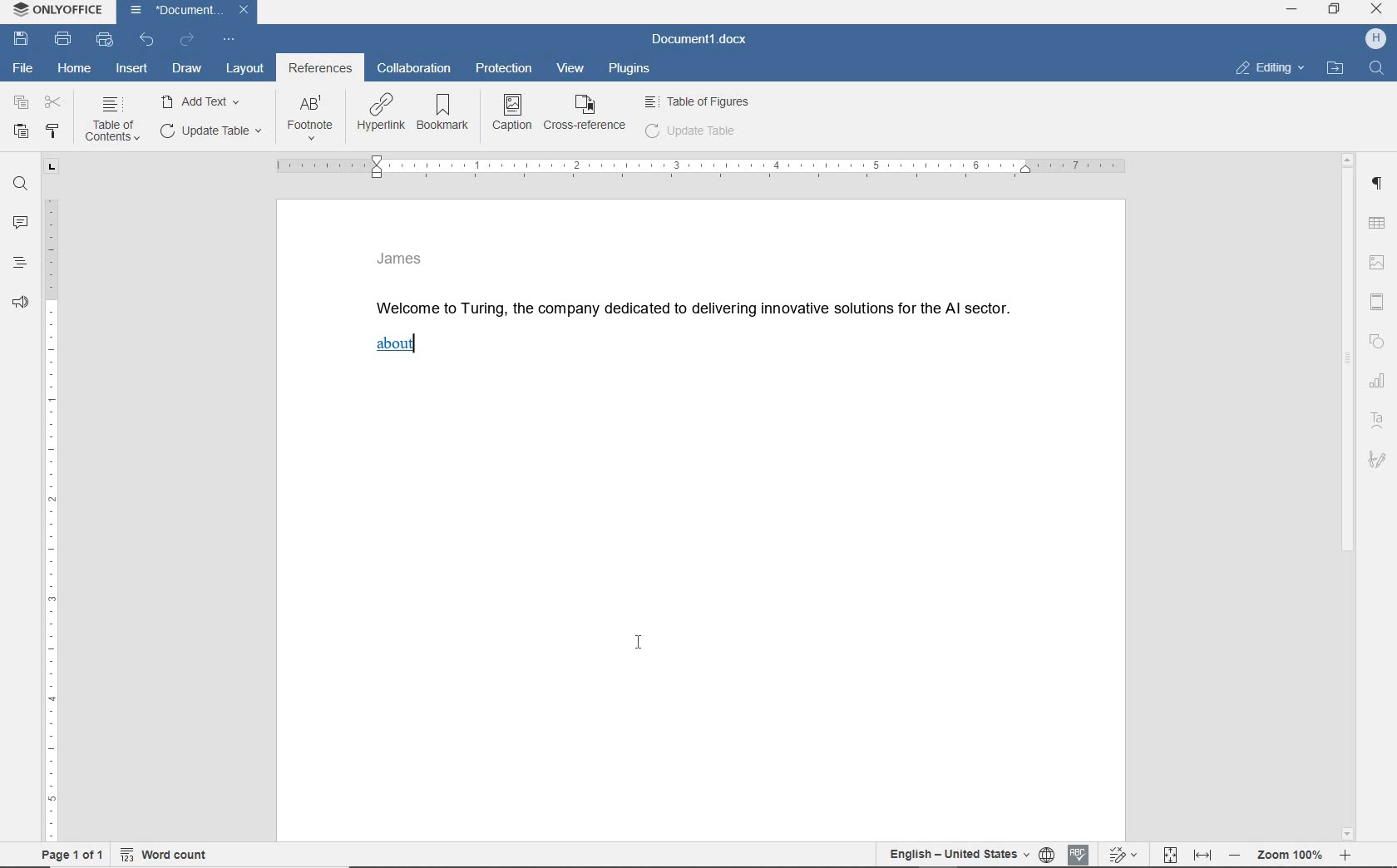 The image size is (1397, 868). Describe the element at coordinates (513, 112) in the screenshot. I see `CAPTION` at that location.